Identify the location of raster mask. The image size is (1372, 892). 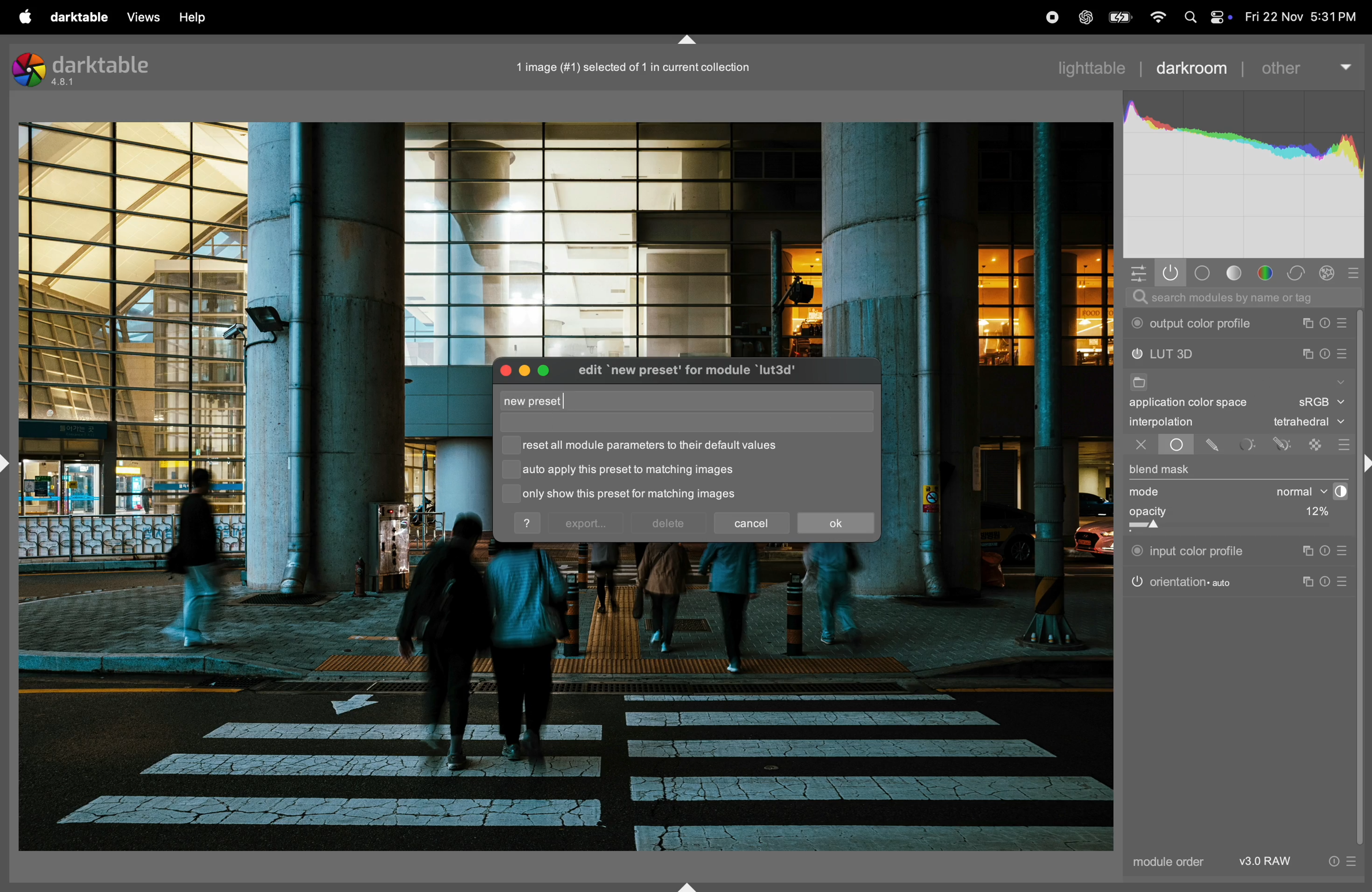
(1317, 444).